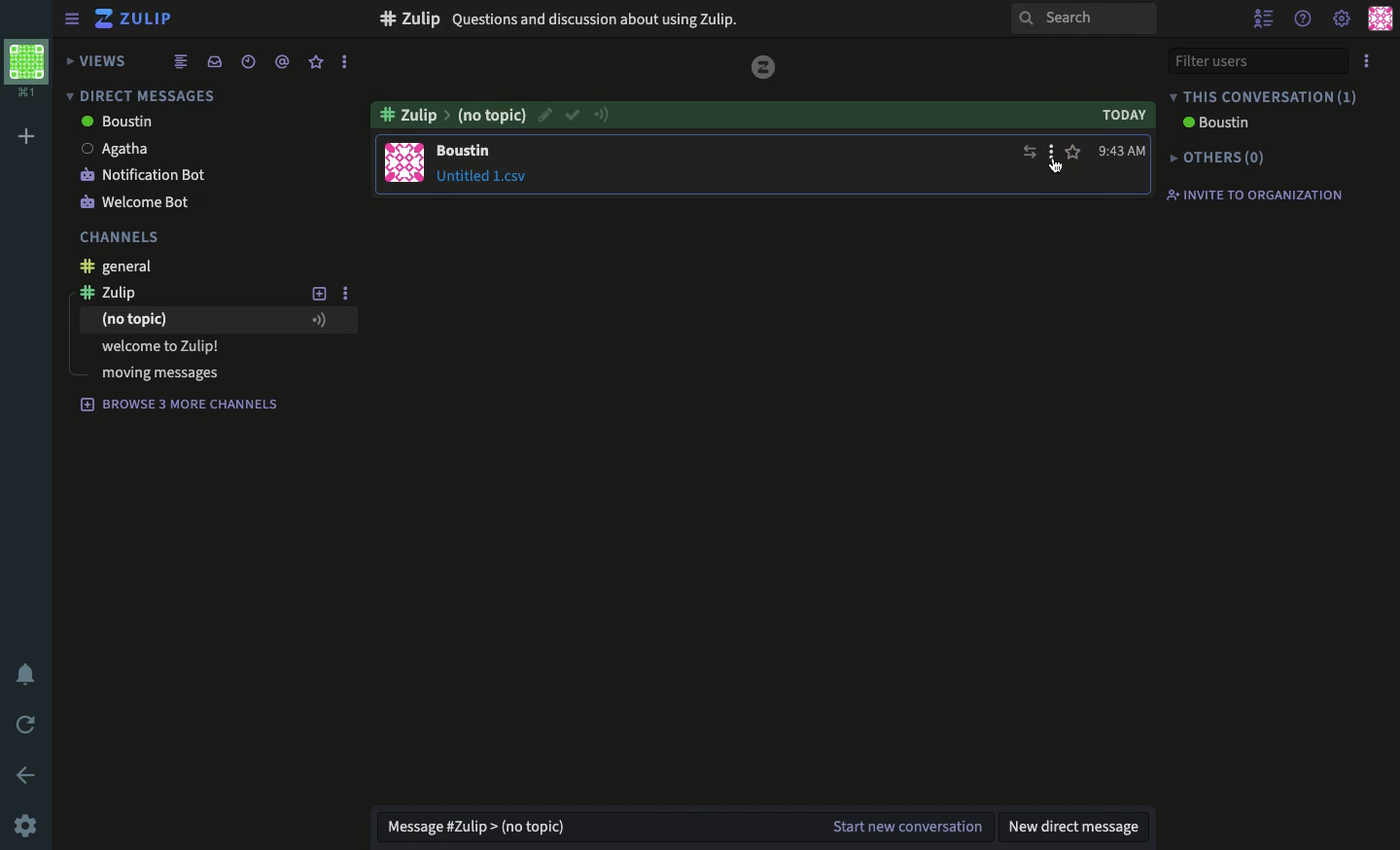  Describe the element at coordinates (147, 20) in the screenshot. I see `Zulip` at that location.